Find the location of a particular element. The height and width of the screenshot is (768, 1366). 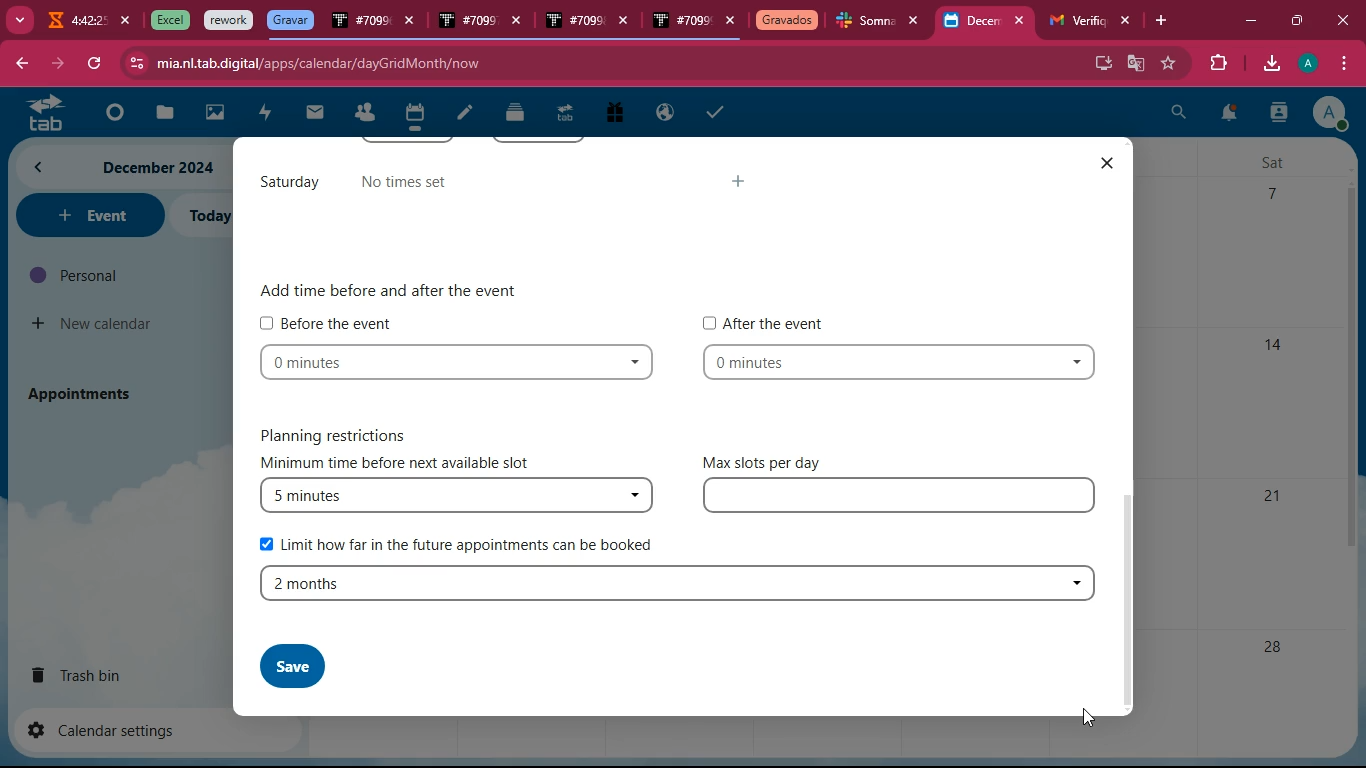

2 months is located at coordinates (674, 586).